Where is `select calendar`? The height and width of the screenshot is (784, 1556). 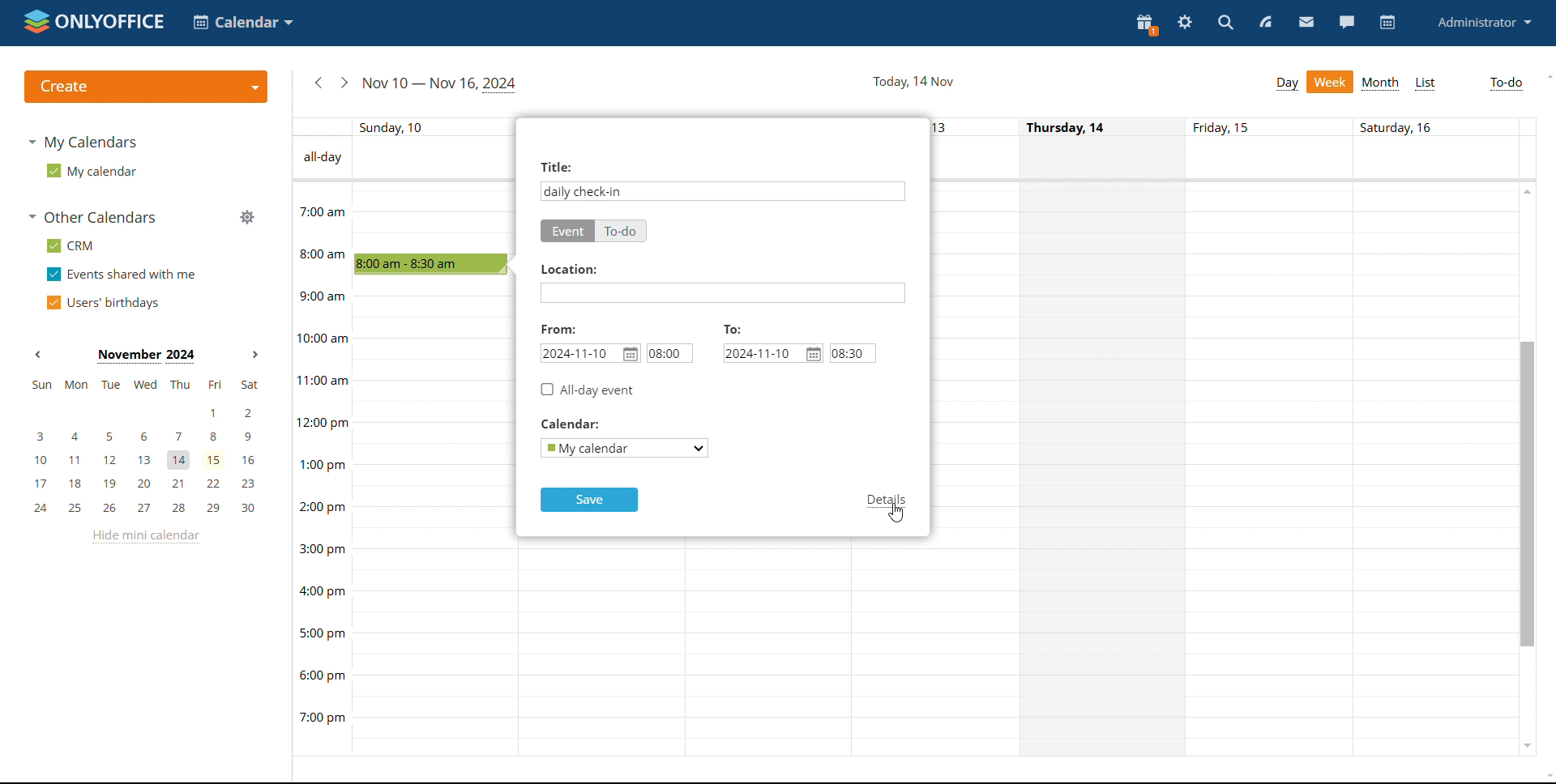
select calendar is located at coordinates (622, 448).